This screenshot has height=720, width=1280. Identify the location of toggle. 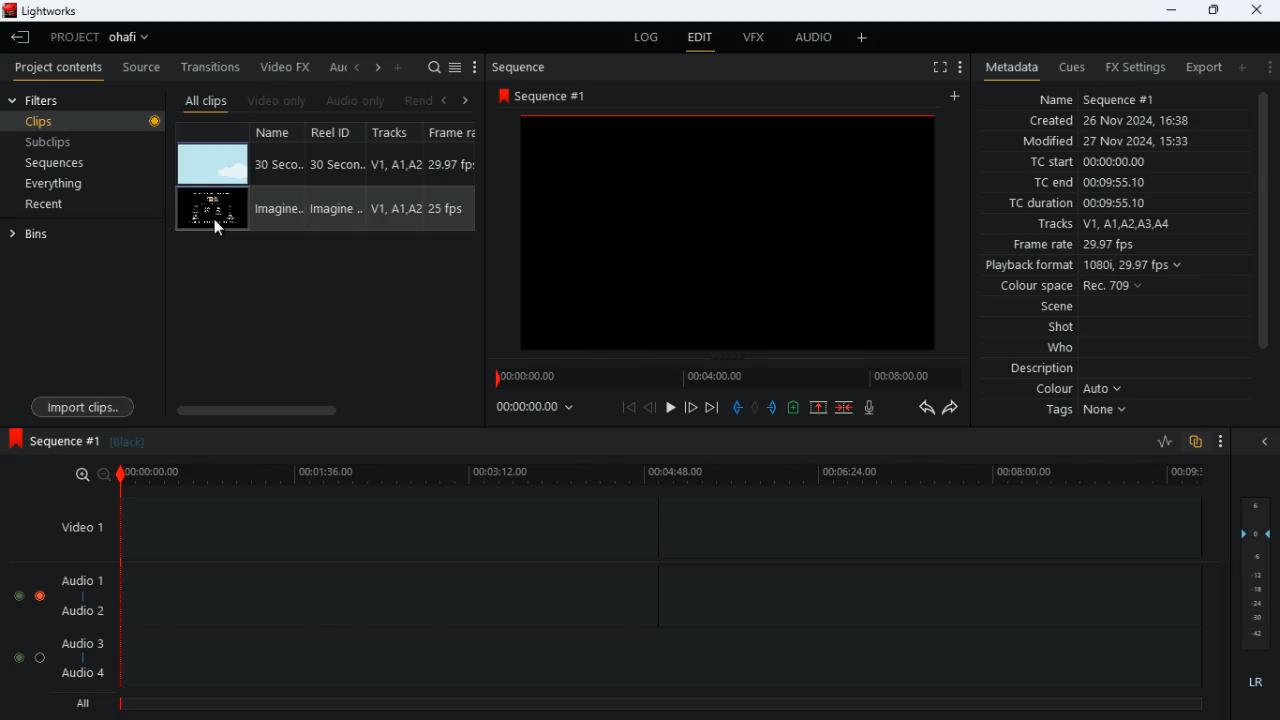
(18, 597).